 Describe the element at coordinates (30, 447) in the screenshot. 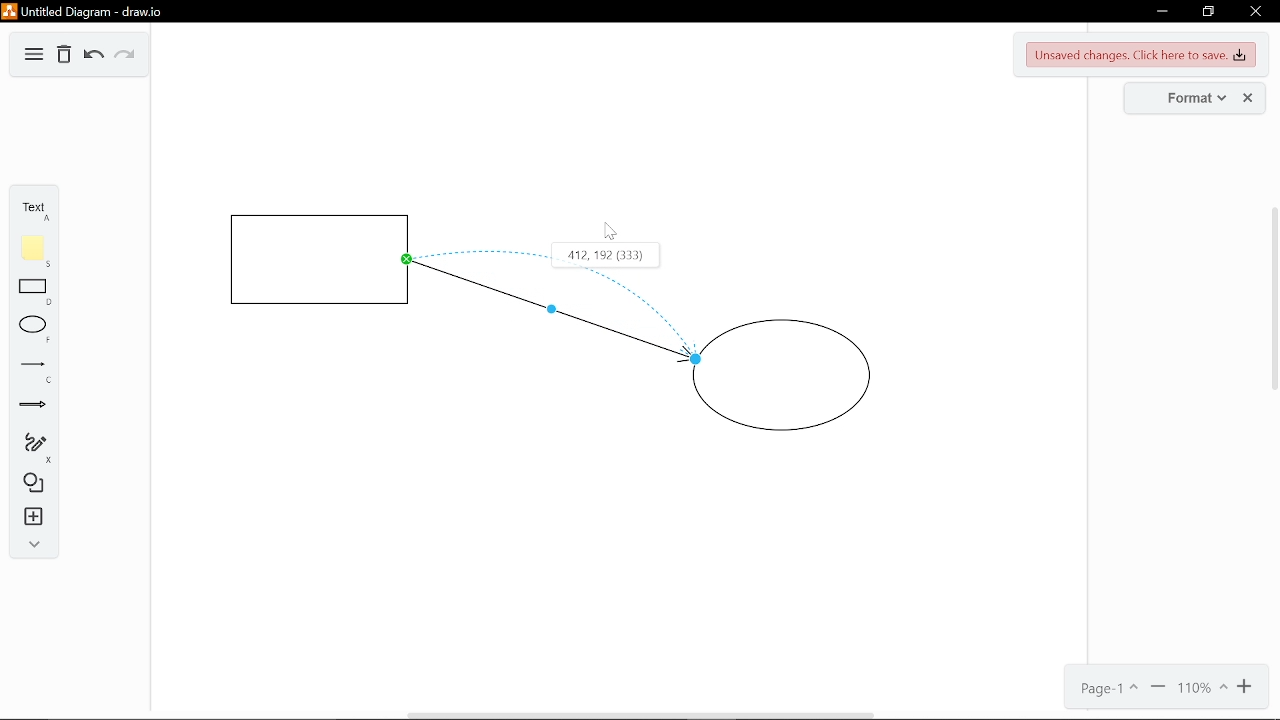

I see `Freehand` at that location.